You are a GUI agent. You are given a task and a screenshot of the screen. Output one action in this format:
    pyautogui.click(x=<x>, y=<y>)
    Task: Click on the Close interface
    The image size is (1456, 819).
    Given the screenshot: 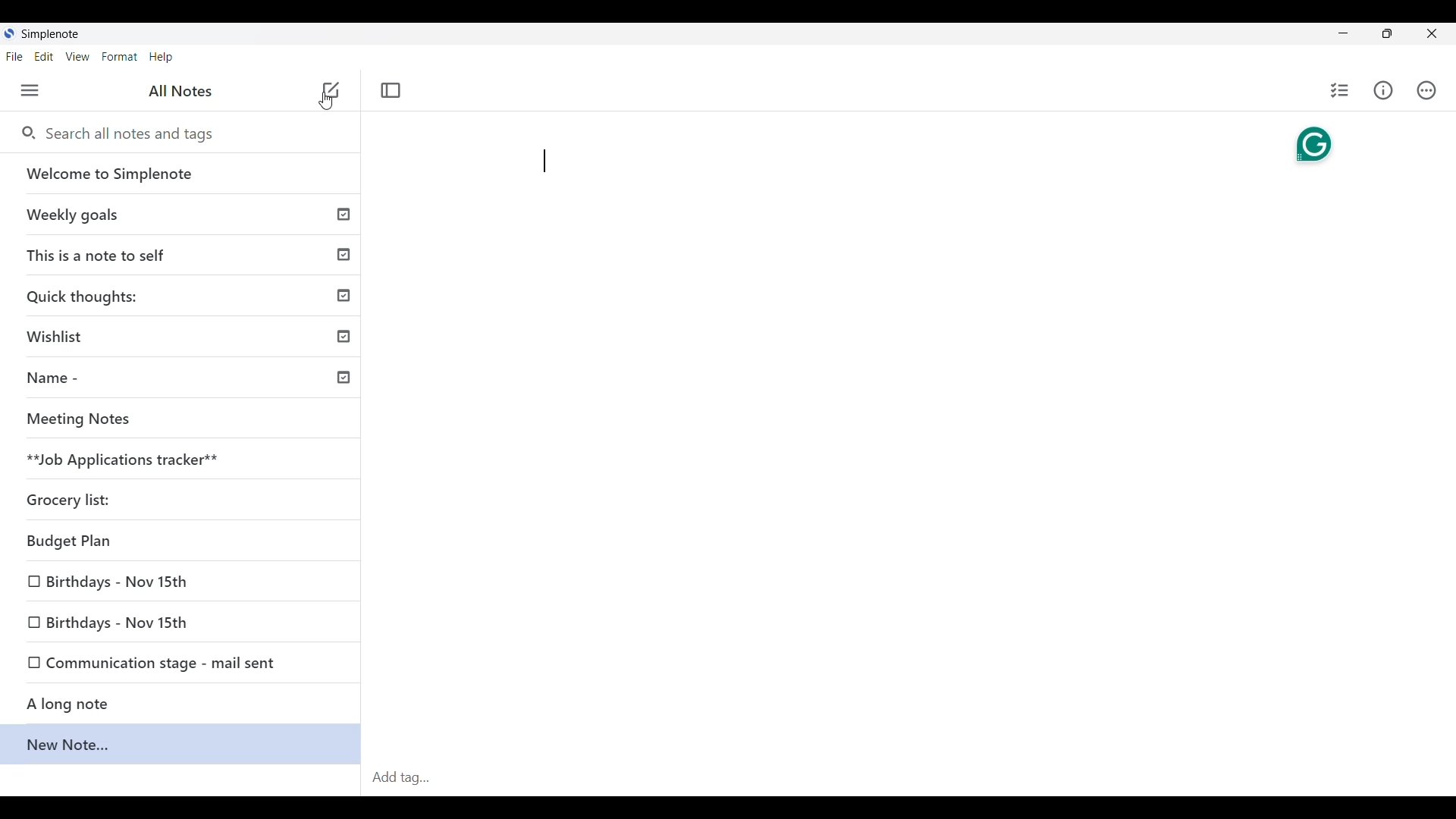 What is the action you would take?
    pyautogui.click(x=1431, y=33)
    